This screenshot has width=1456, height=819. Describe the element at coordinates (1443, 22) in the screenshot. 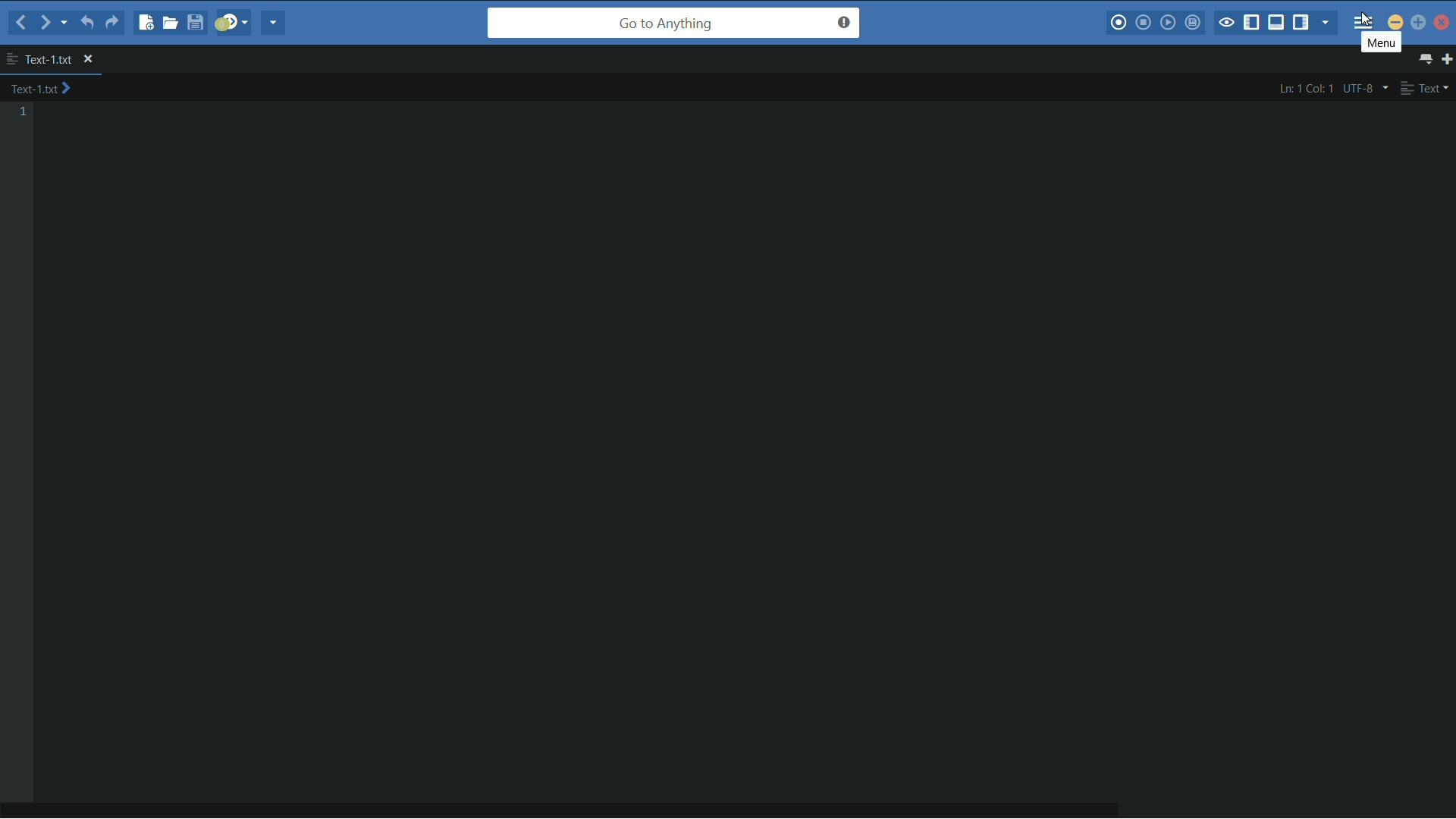

I see `close app` at that location.